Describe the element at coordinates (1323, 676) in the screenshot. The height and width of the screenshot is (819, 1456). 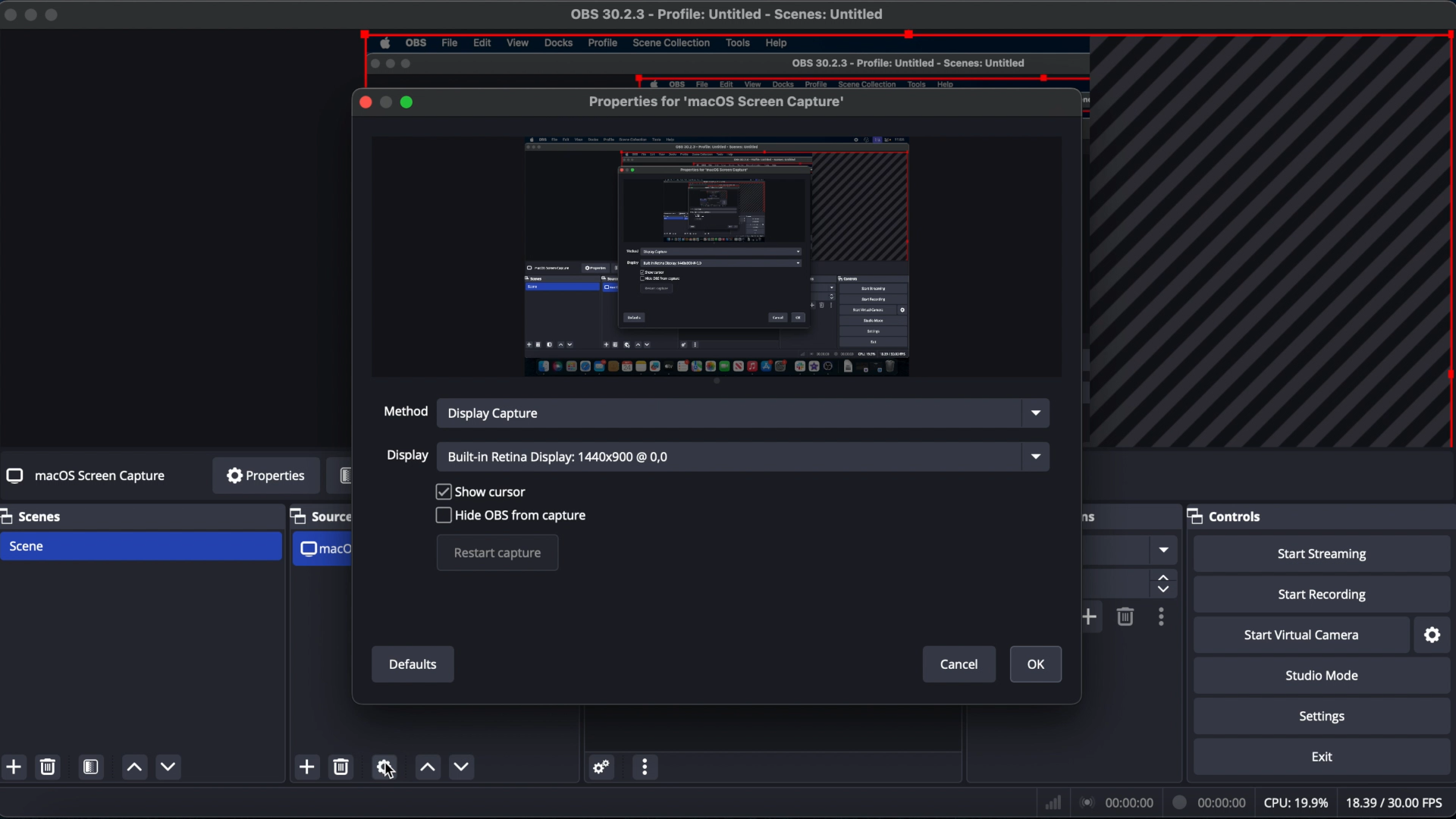
I see `studio mode` at that location.